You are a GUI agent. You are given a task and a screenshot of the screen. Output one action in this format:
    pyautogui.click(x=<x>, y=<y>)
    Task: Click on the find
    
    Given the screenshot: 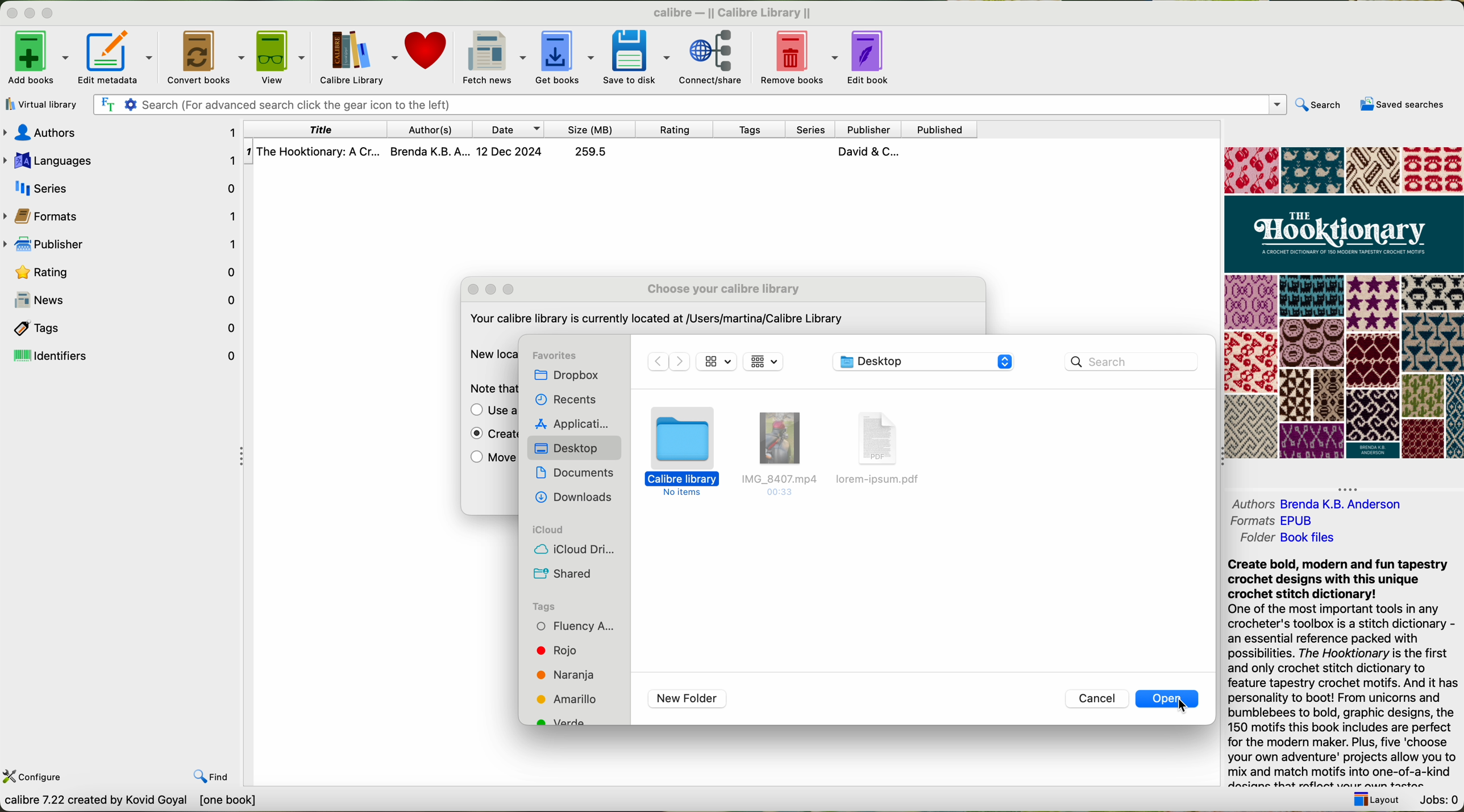 What is the action you would take?
    pyautogui.click(x=210, y=776)
    